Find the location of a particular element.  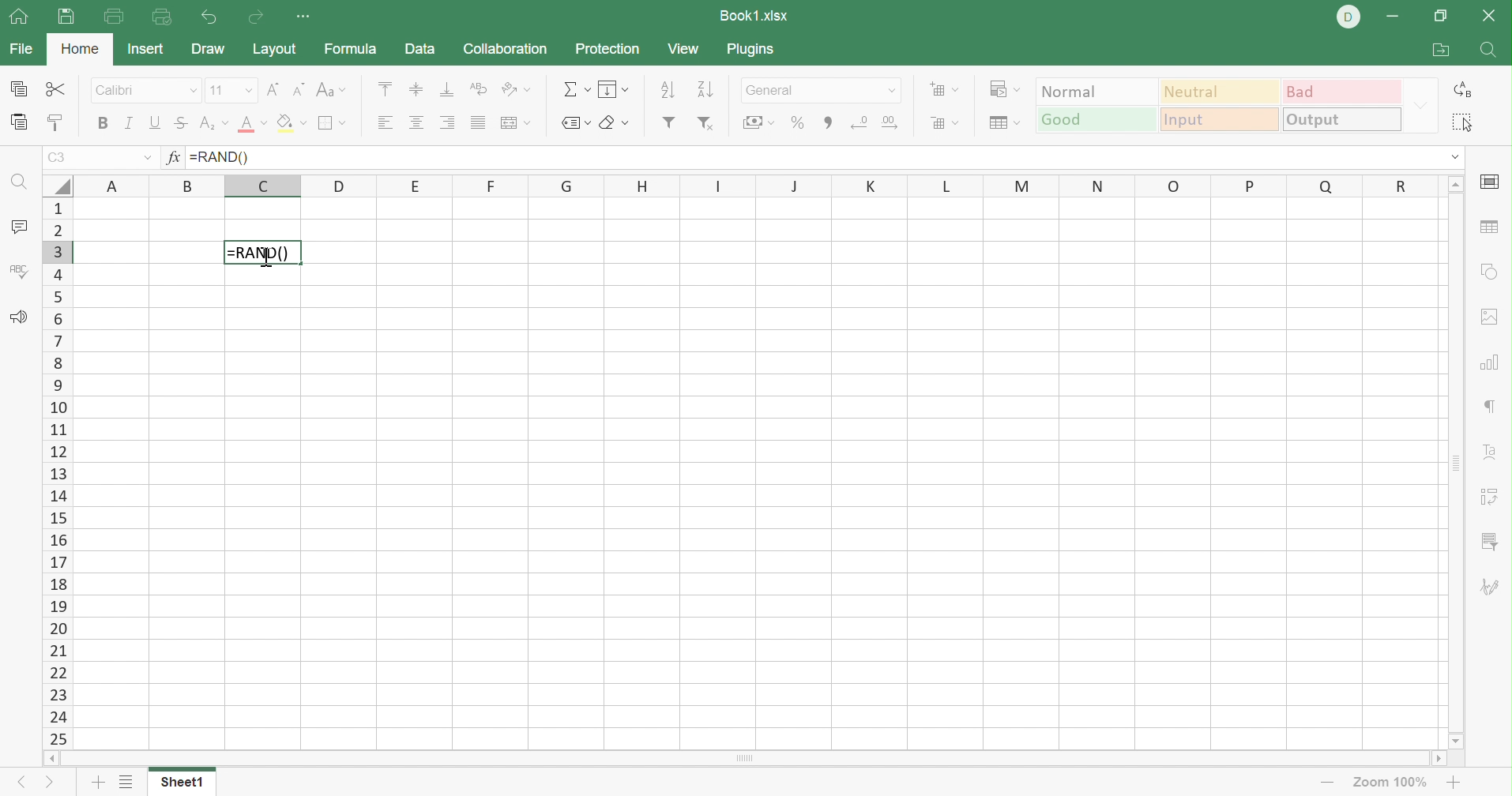

Image settings is located at coordinates (1492, 317).